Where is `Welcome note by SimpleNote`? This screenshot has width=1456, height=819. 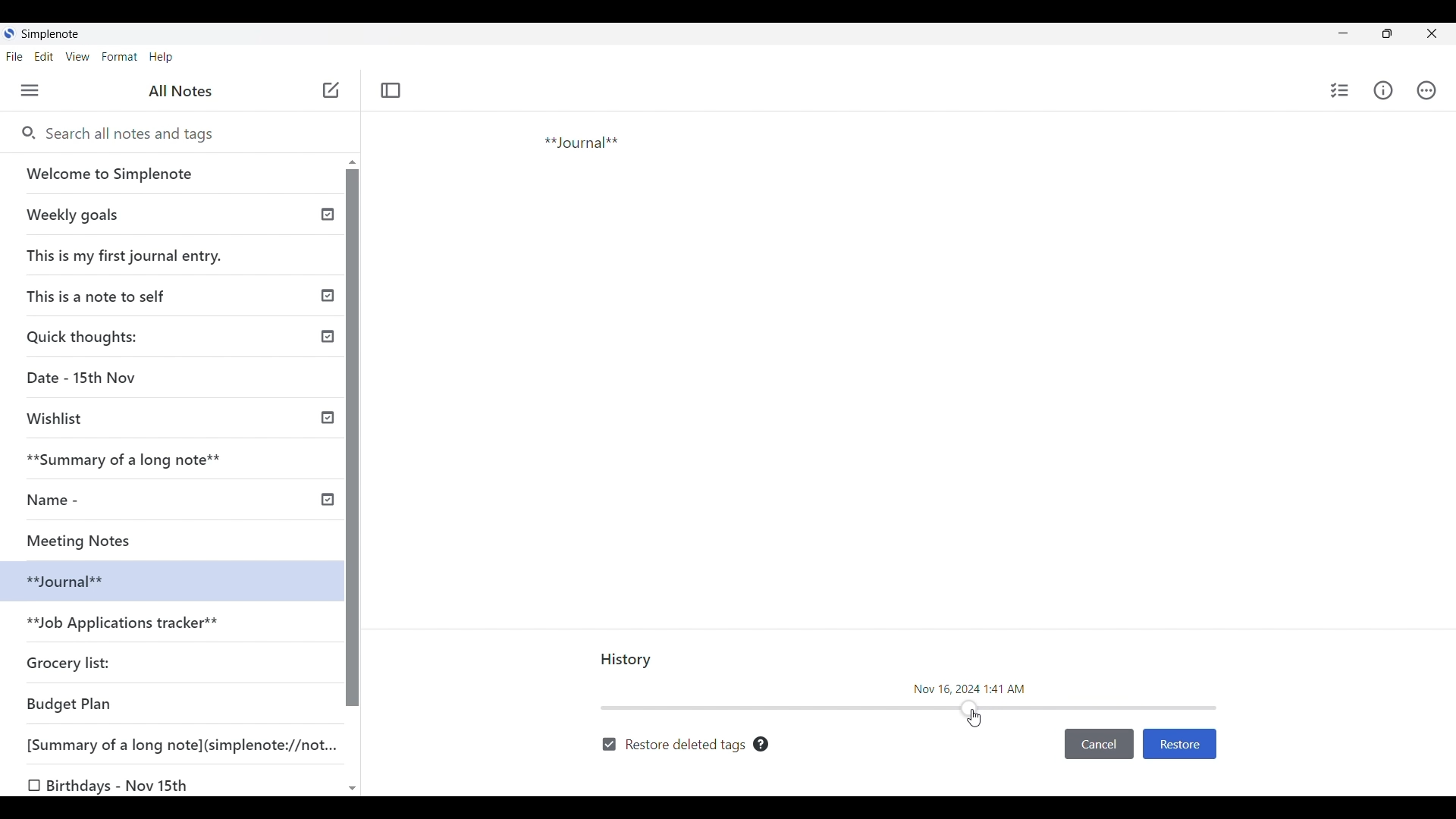
Welcome note by SimpleNote is located at coordinates (173, 173).